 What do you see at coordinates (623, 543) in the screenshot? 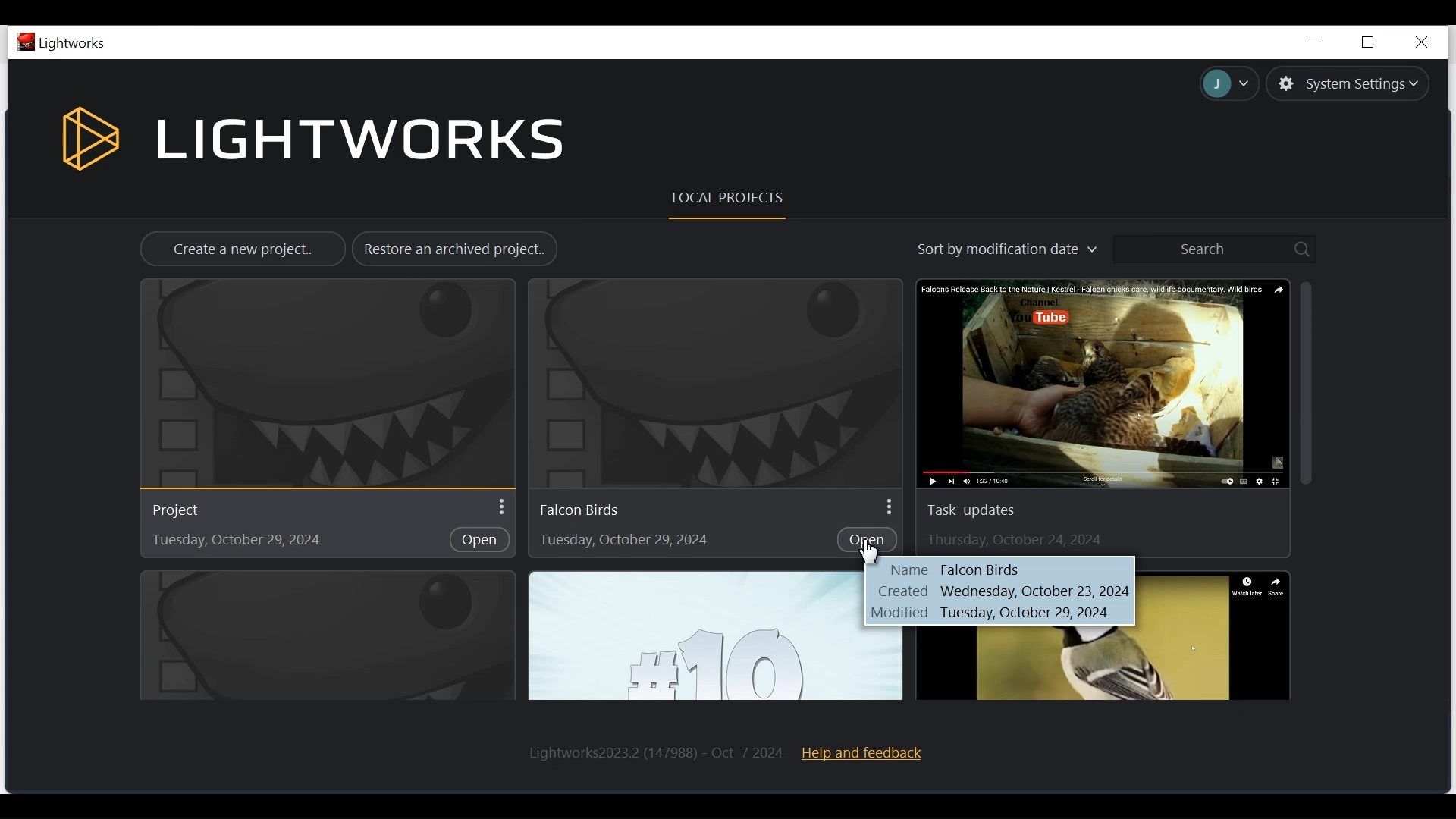
I see `Tuesday` at bounding box center [623, 543].